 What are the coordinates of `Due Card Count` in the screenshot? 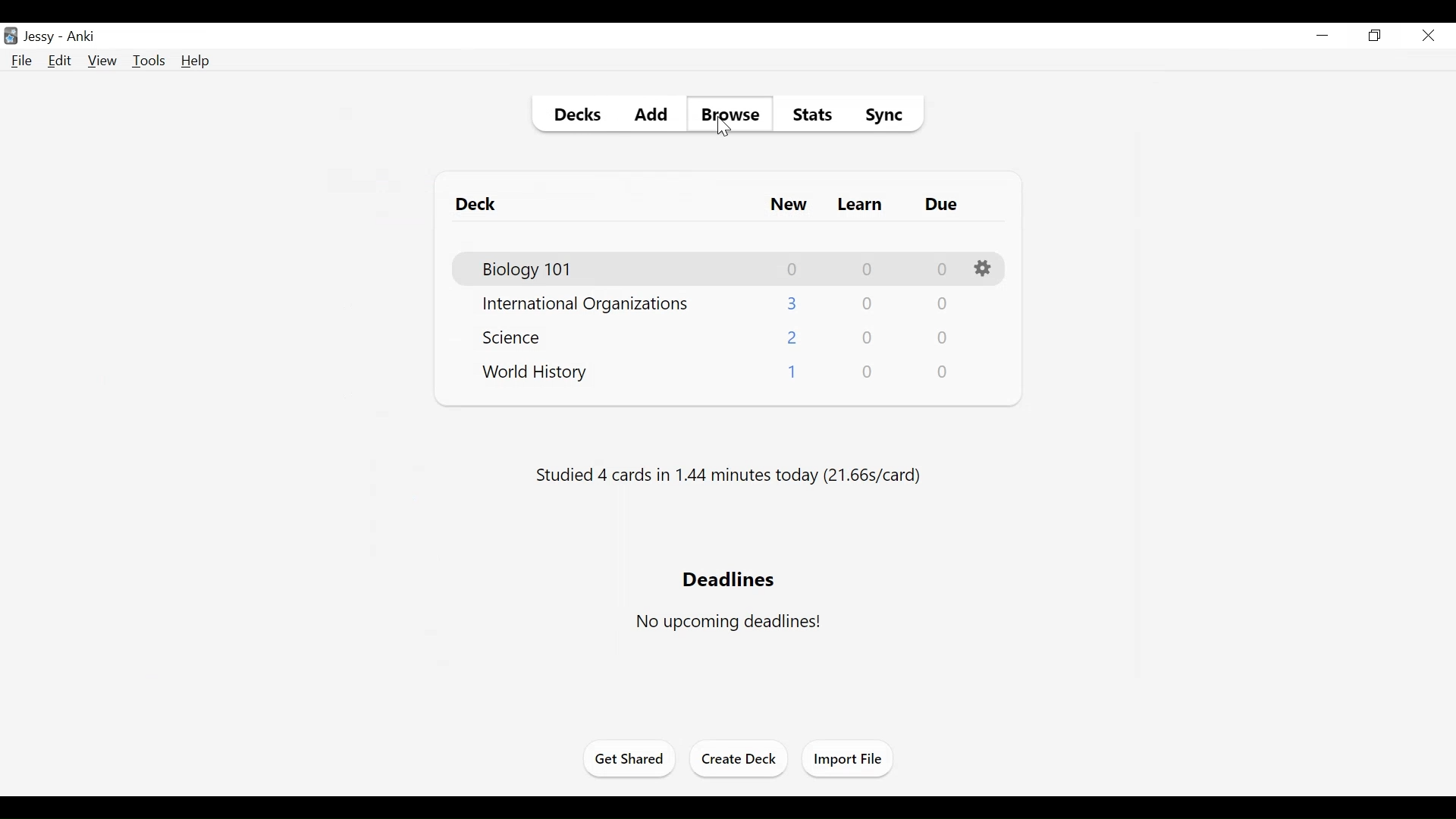 It's located at (943, 337).